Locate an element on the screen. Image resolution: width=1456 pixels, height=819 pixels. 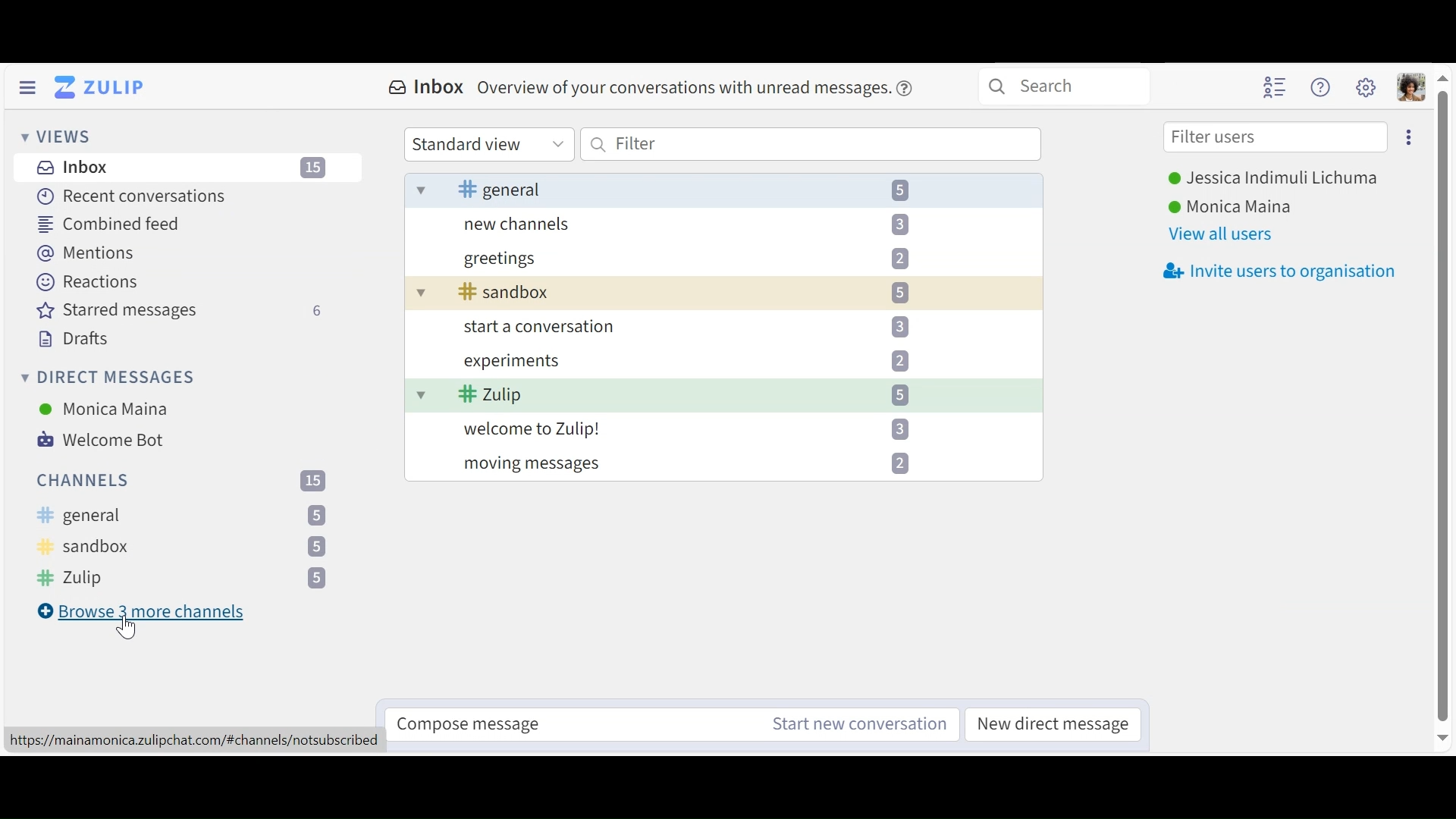
users is located at coordinates (1235, 206).